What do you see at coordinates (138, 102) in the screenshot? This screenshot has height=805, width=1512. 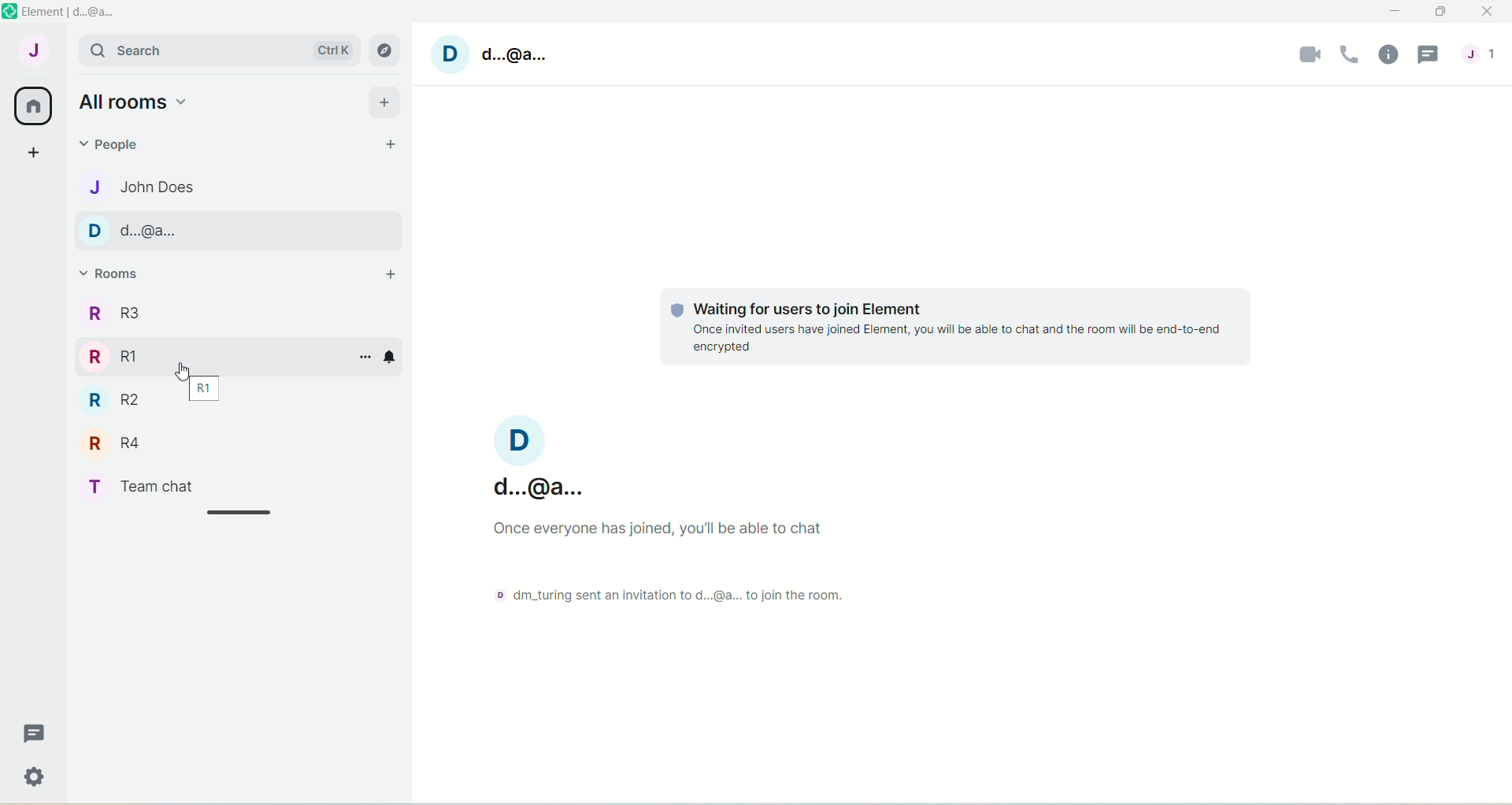 I see `all rooms` at bounding box center [138, 102].